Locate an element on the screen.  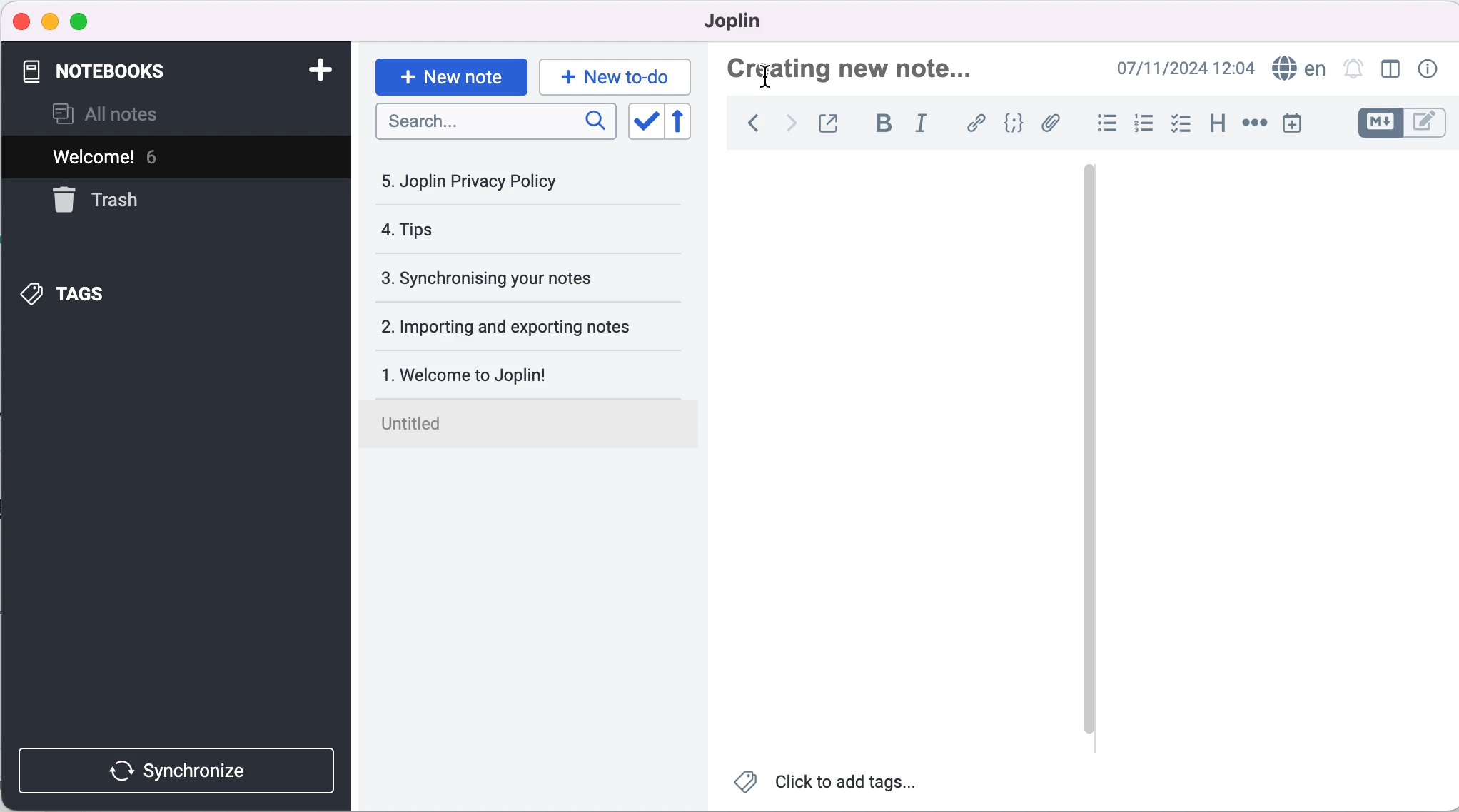
language is located at coordinates (1298, 68).